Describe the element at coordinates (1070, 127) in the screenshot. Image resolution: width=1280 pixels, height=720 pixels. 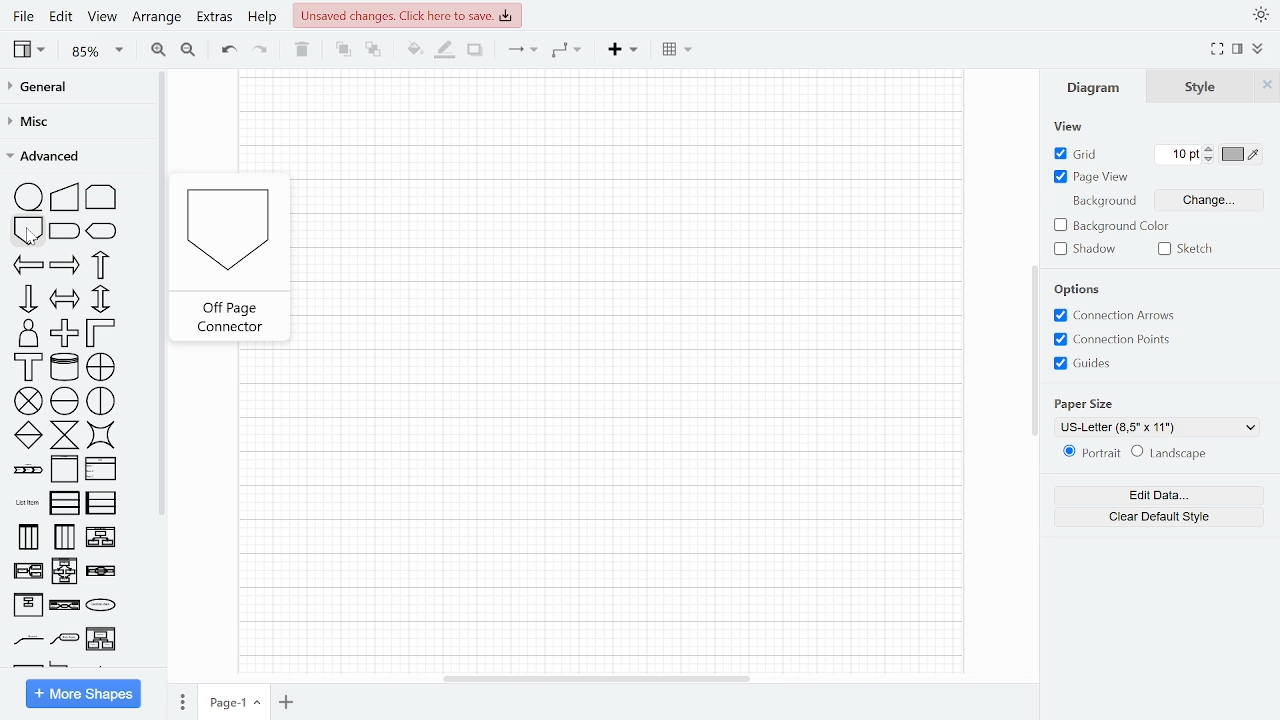
I see `view` at that location.